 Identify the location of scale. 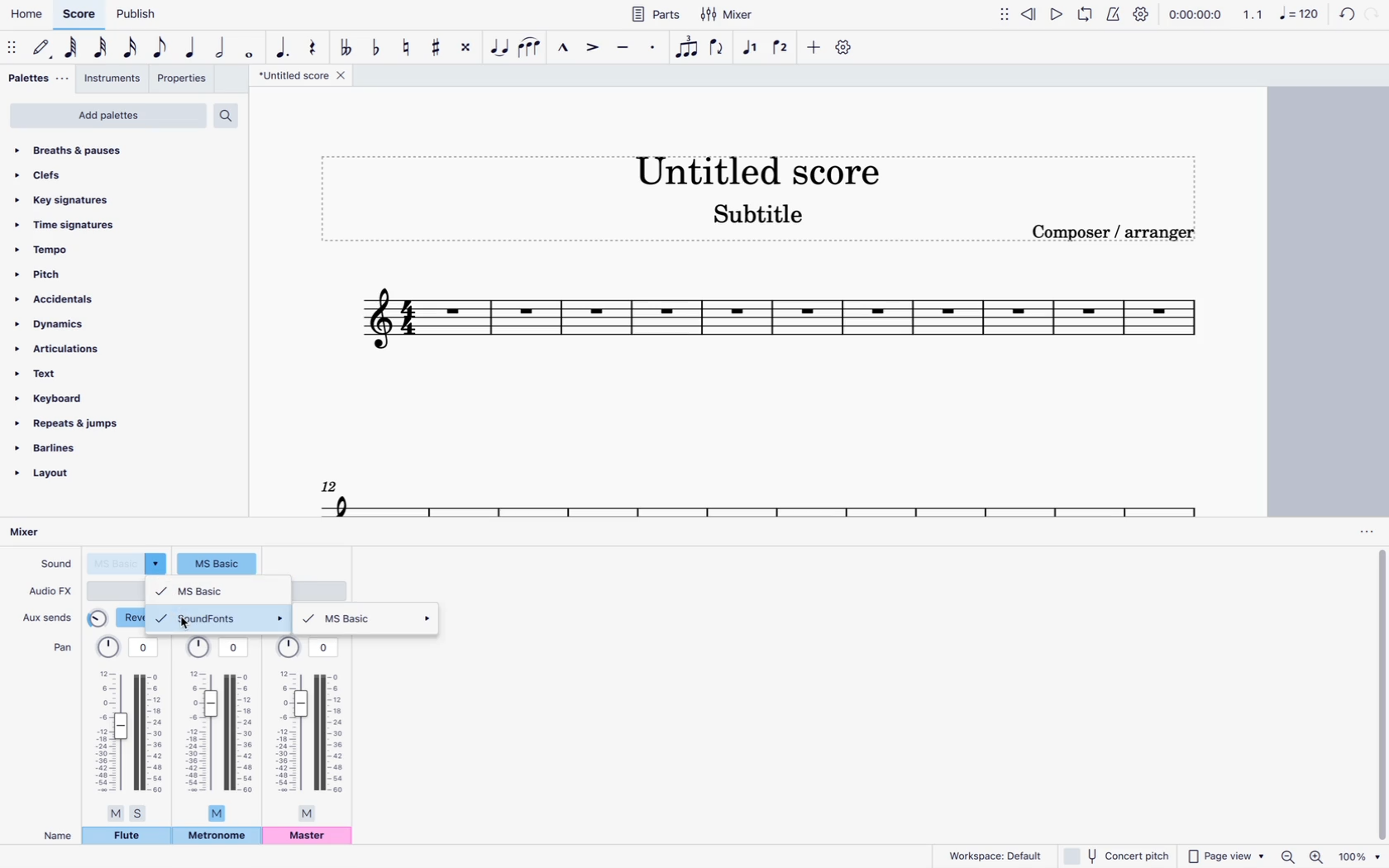
(759, 494).